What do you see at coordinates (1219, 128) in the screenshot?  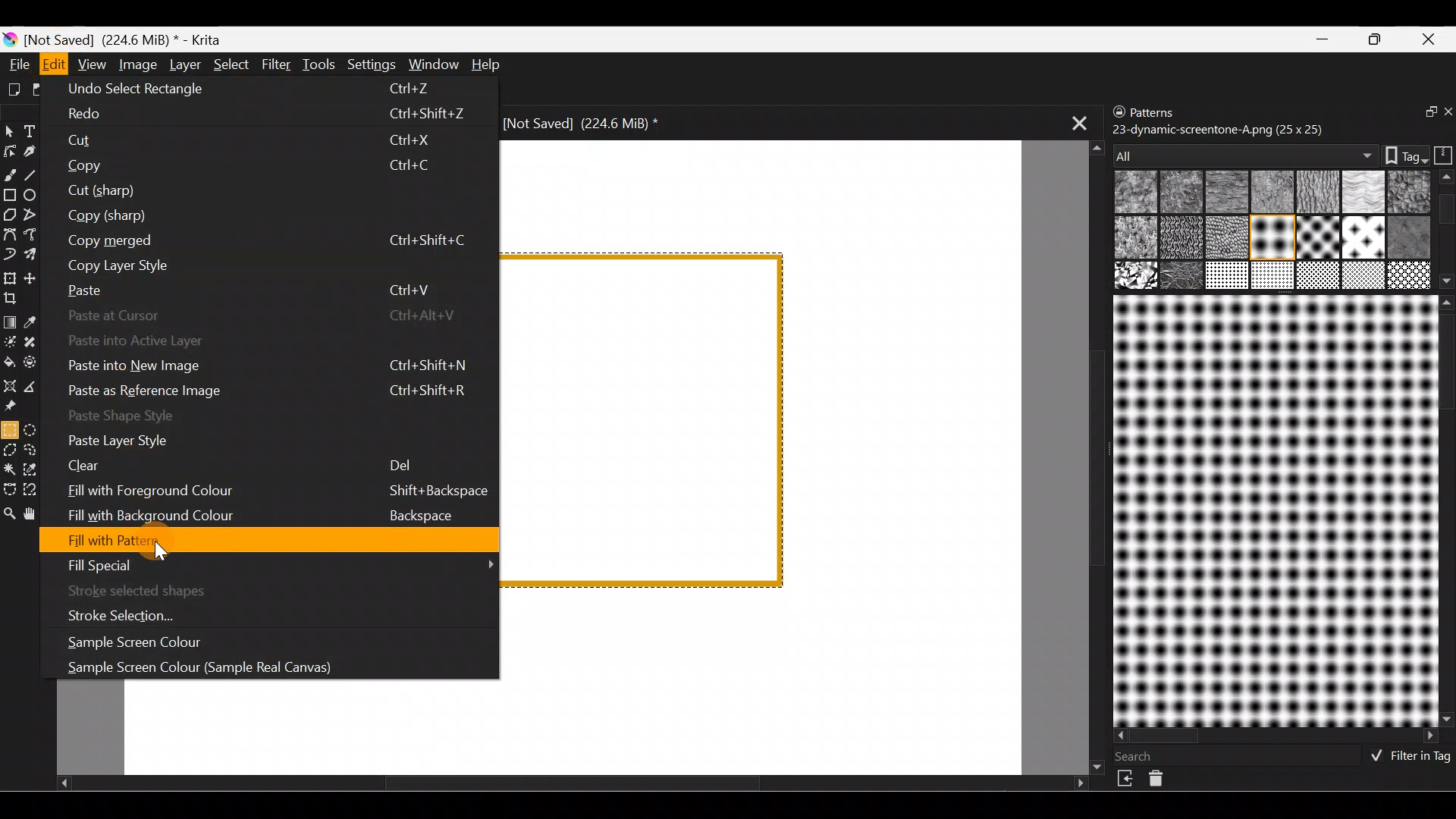 I see `23-dynamic-screentone-A.png (25 x 25)` at bounding box center [1219, 128].